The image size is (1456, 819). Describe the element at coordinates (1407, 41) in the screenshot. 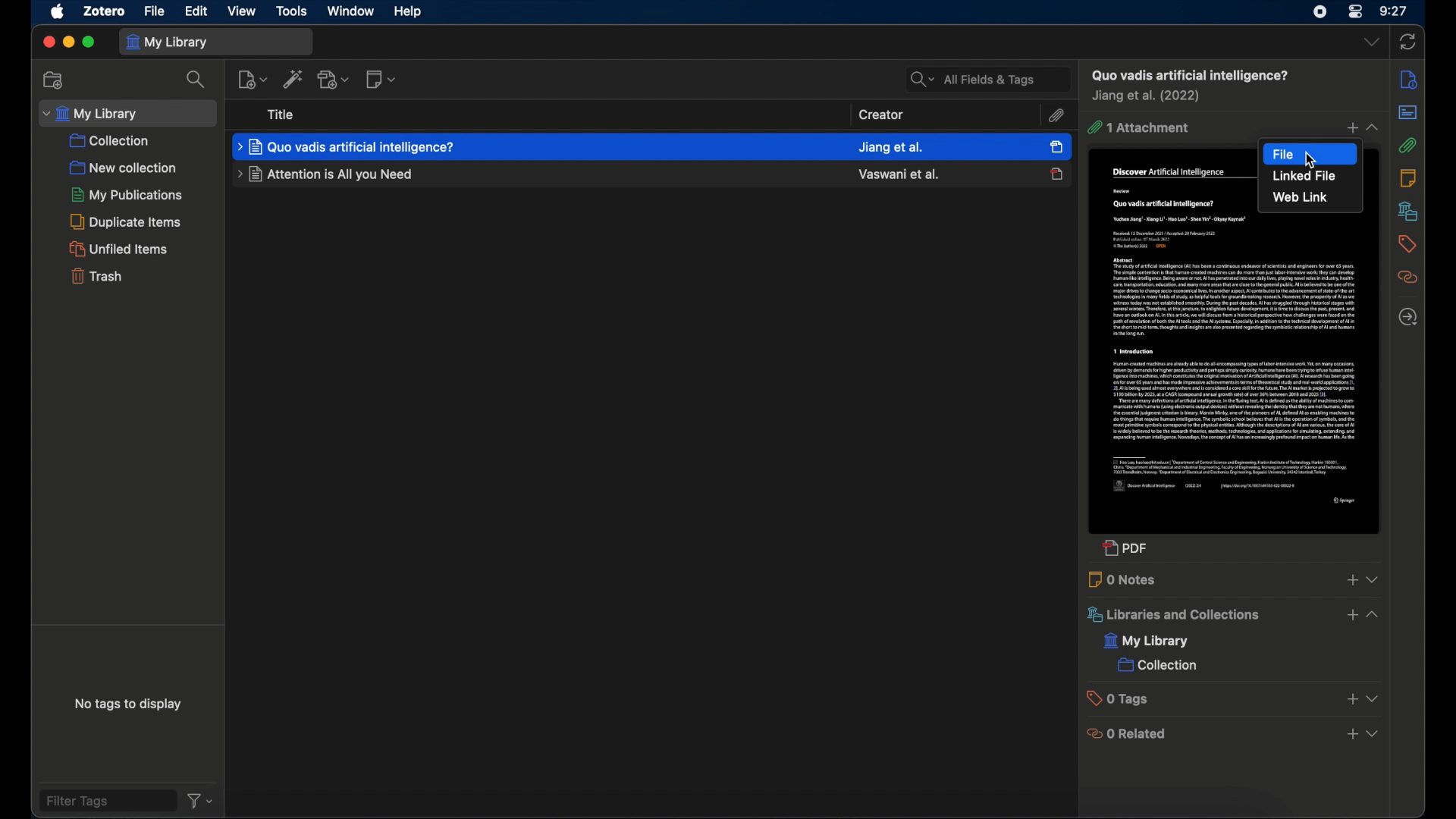

I see `sync` at that location.